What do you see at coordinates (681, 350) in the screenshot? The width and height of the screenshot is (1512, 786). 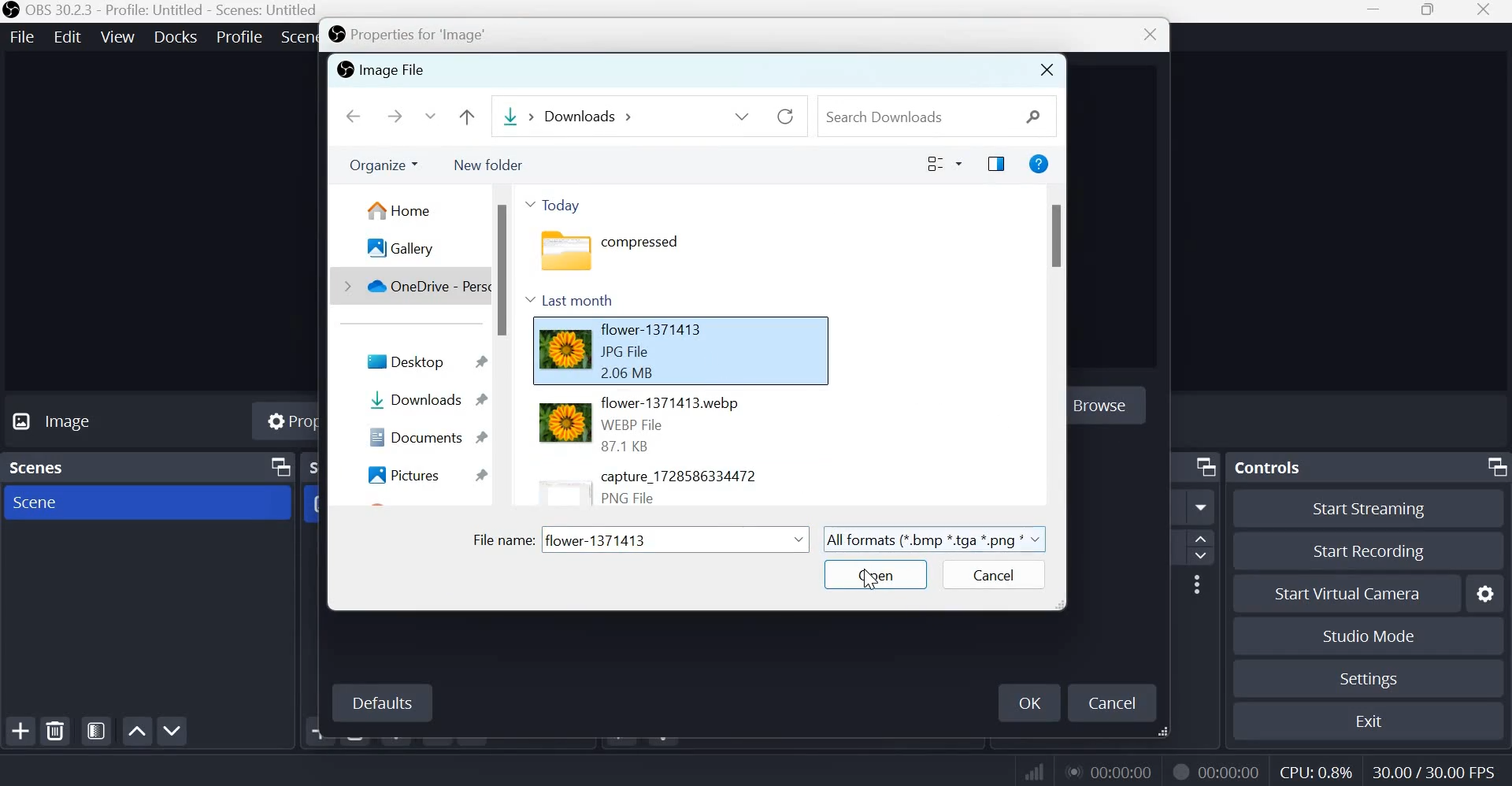 I see `flower-1371413 jpg file 2.06 MB` at bounding box center [681, 350].